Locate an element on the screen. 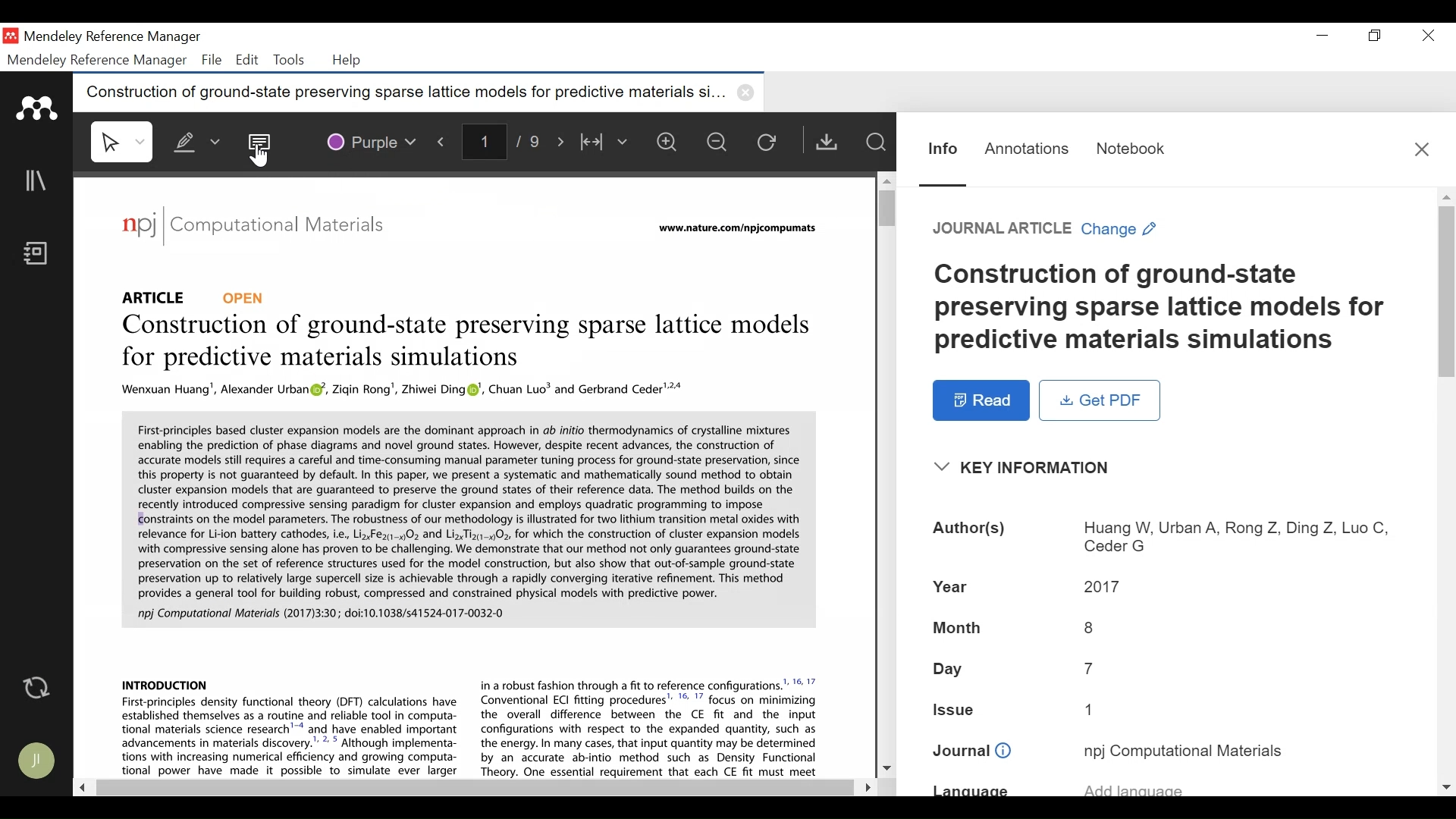  Scroll Left is located at coordinates (83, 789).